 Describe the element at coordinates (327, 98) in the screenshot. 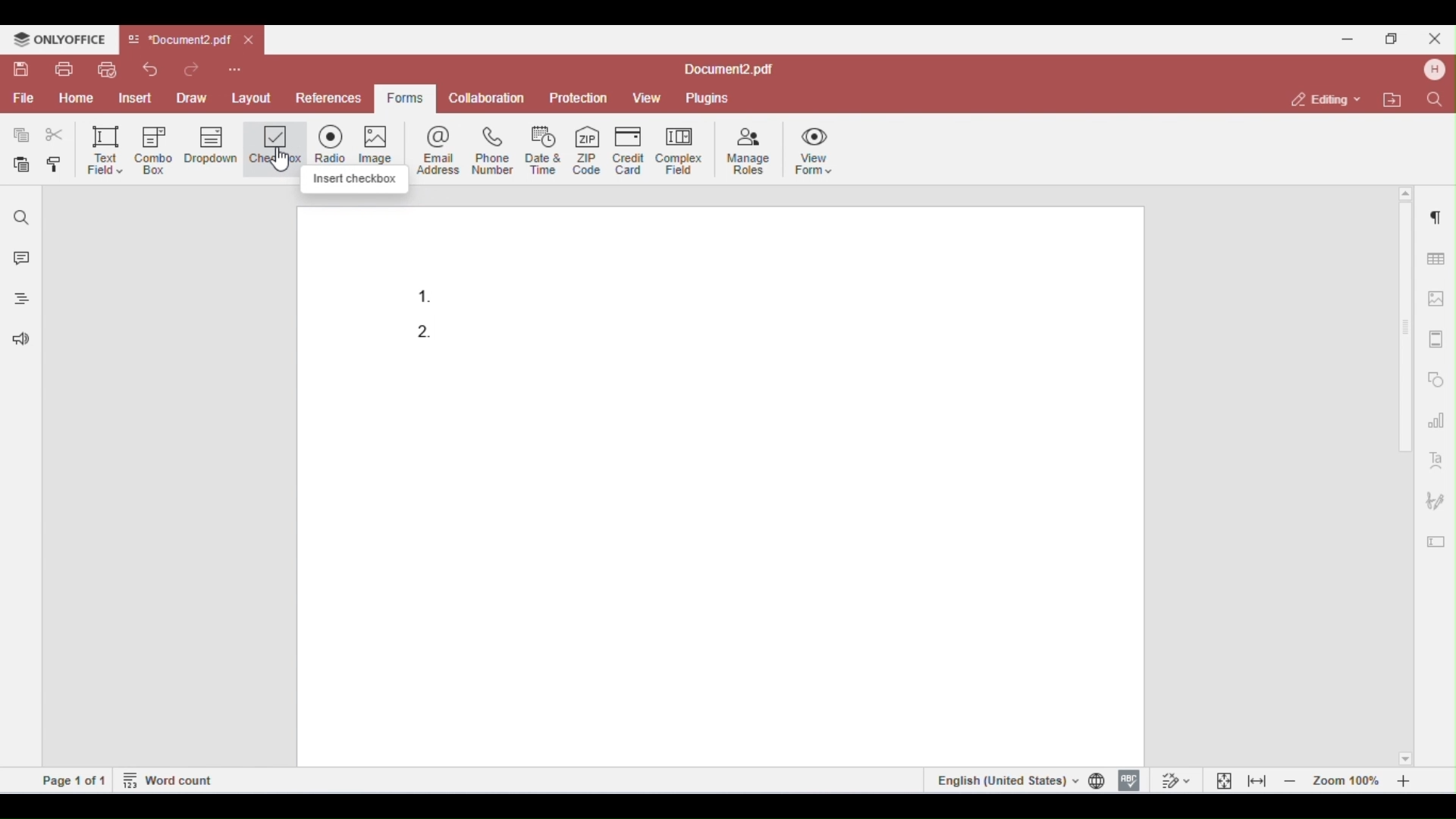

I see `references` at that location.